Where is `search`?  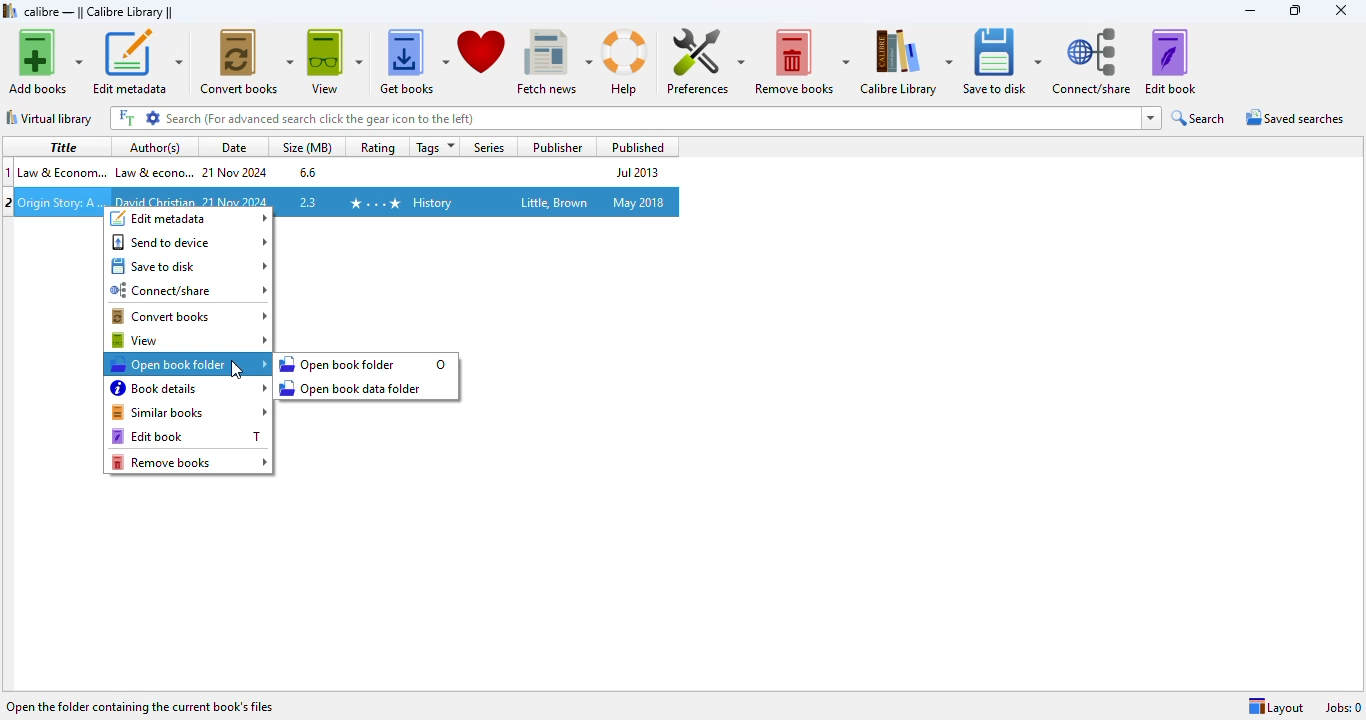 search is located at coordinates (1199, 119).